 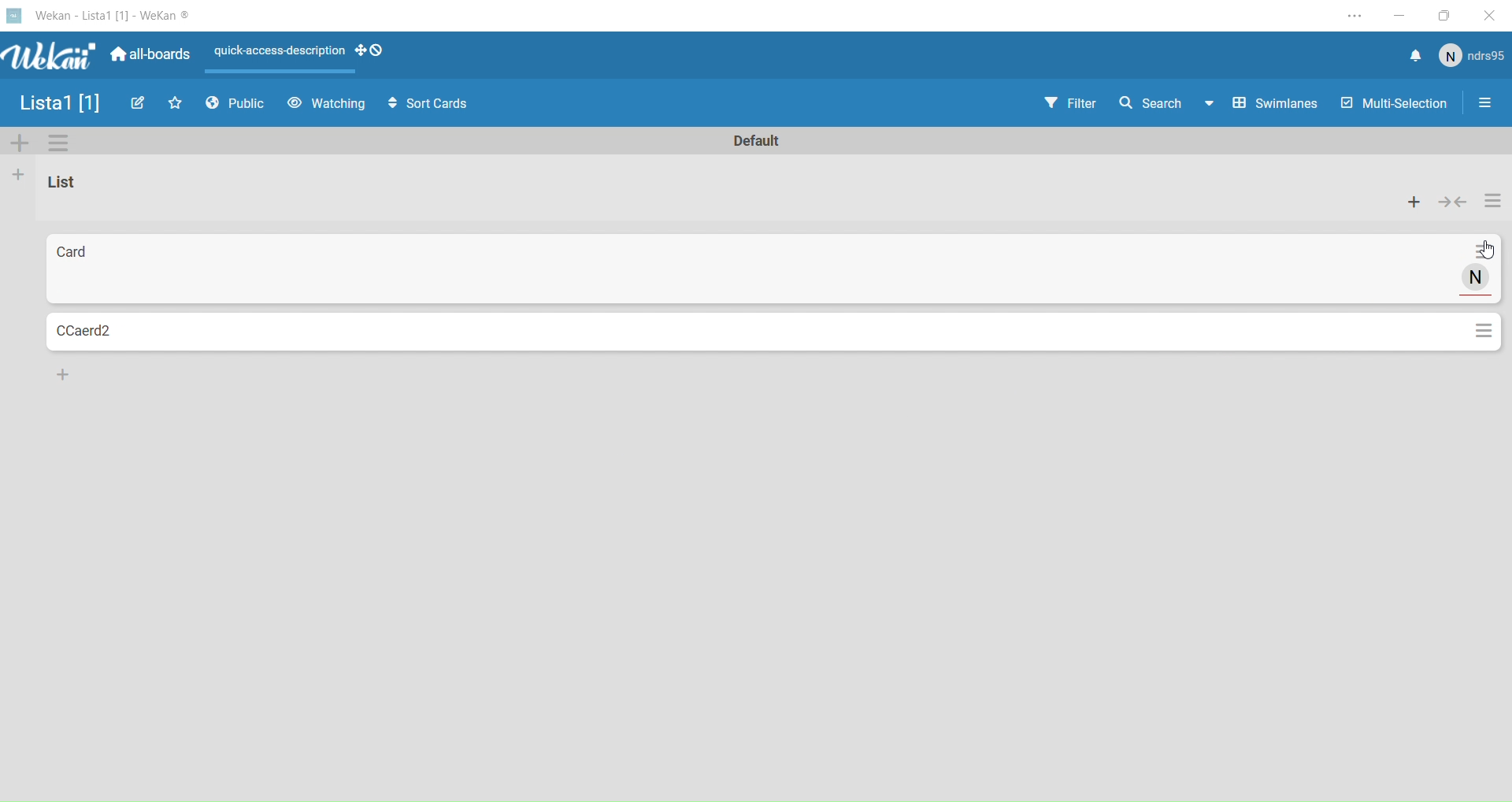 I want to click on drag handles, so click(x=377, y=53).